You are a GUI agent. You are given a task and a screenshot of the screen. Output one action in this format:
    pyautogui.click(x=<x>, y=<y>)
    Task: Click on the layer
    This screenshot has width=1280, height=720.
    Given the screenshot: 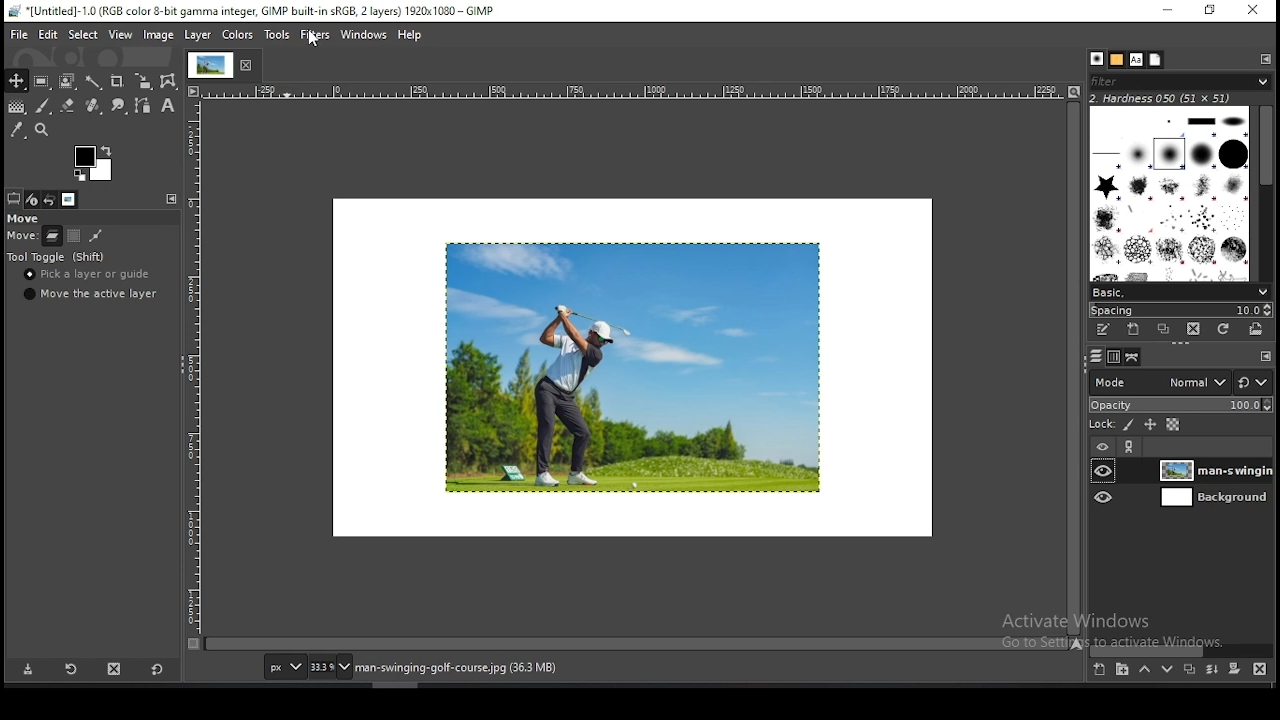 What is the action you would take?
    pyautogui.click(x=1214, y=470)
    